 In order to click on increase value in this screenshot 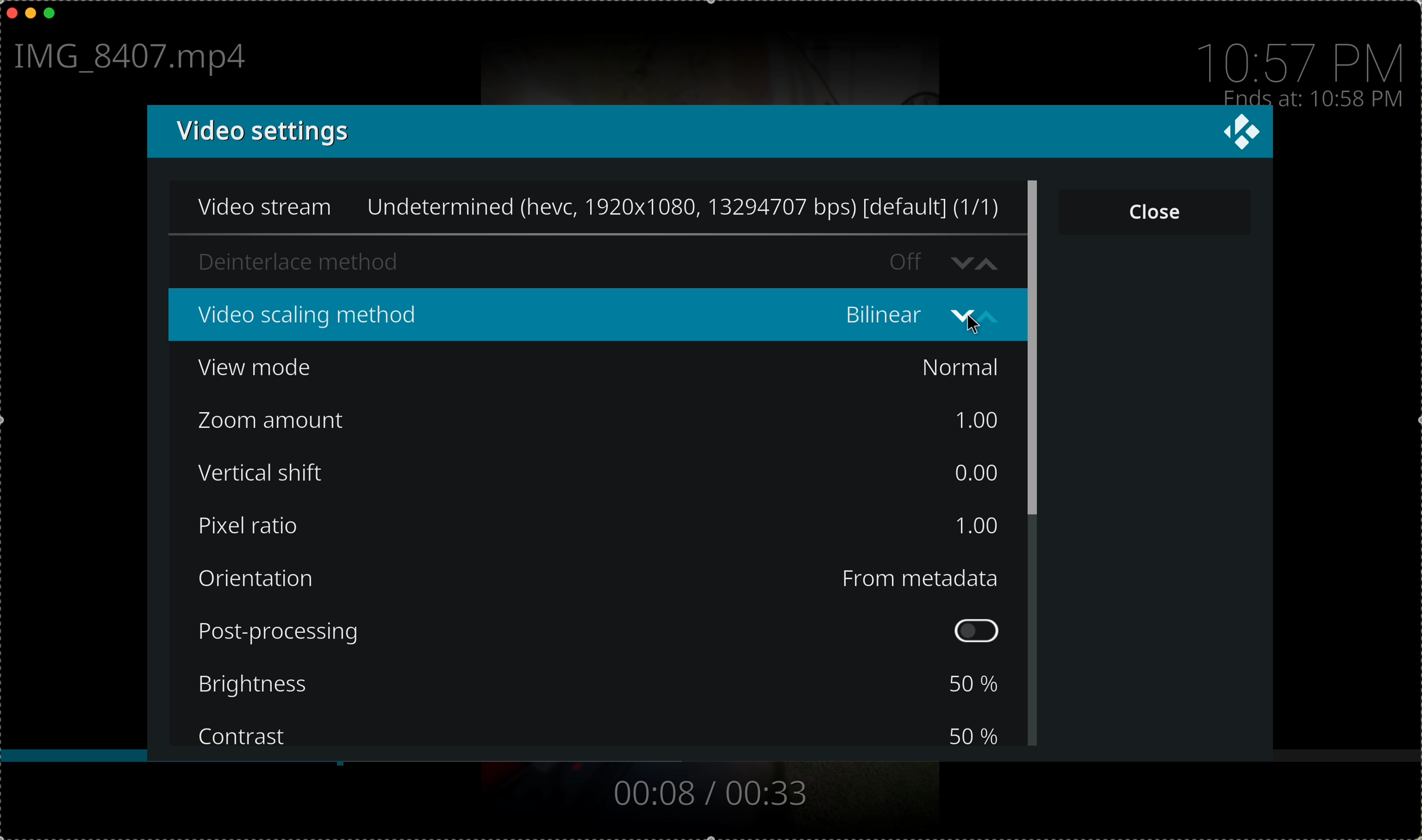, I will do `click(990, 261)`.